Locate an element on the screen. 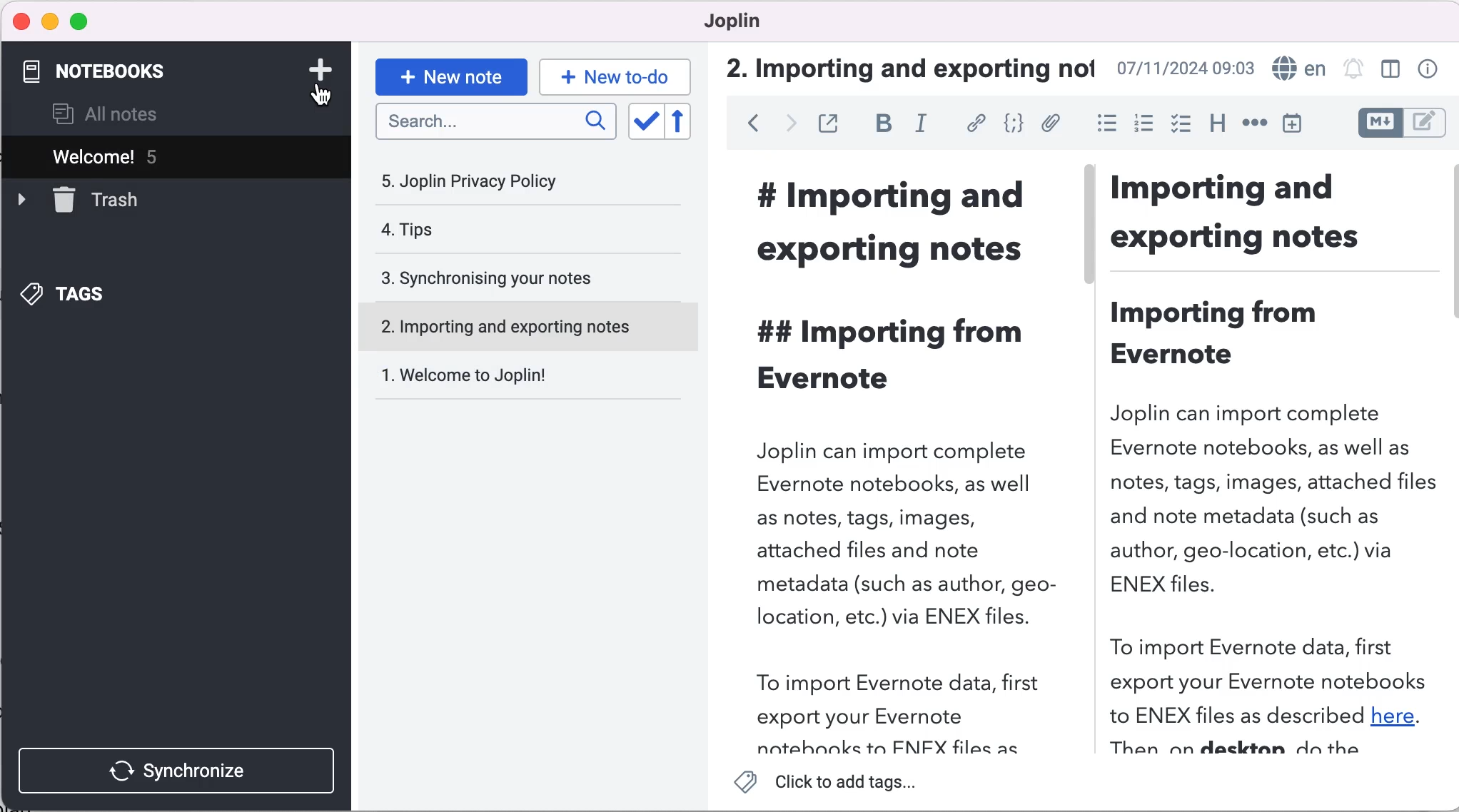 The image size is (1459, 812). code is located at coordinates (1014, 125).